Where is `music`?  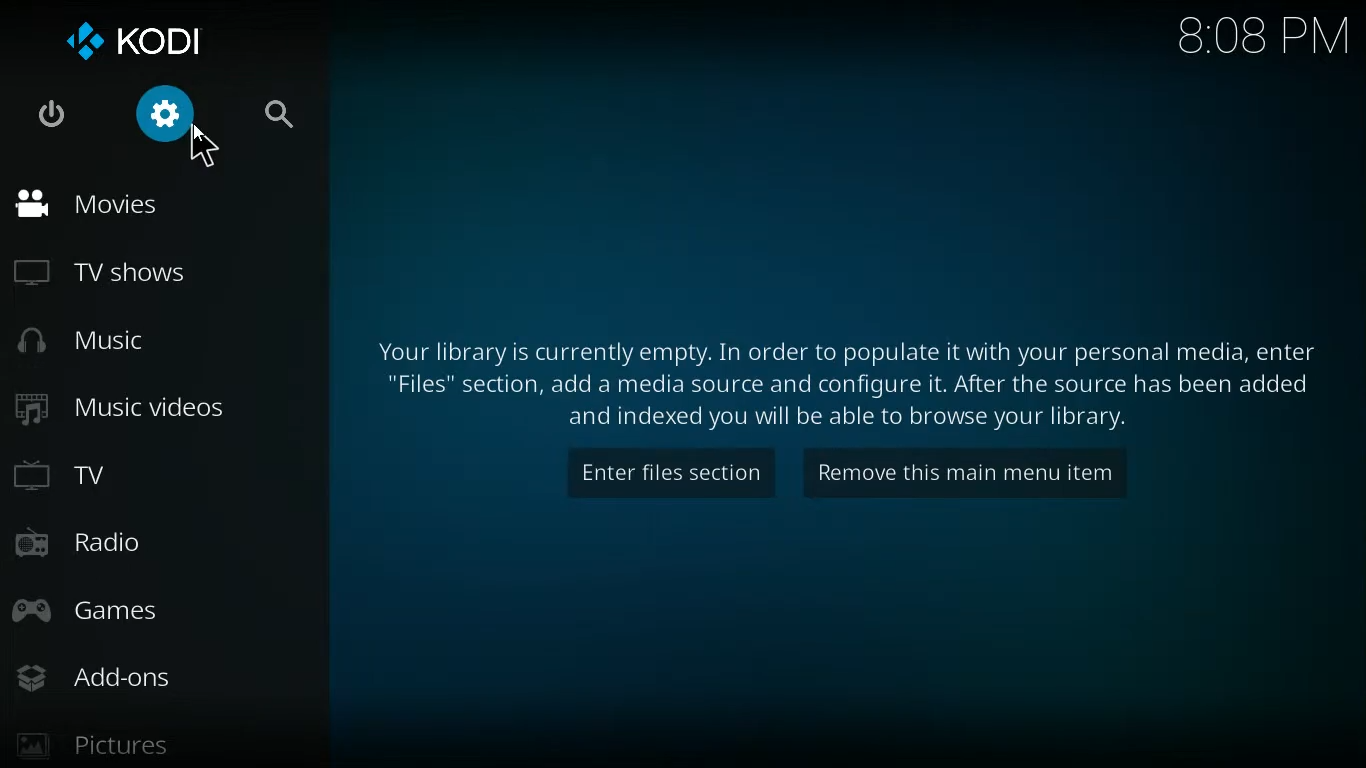 music is located at coordinates (101, 340).